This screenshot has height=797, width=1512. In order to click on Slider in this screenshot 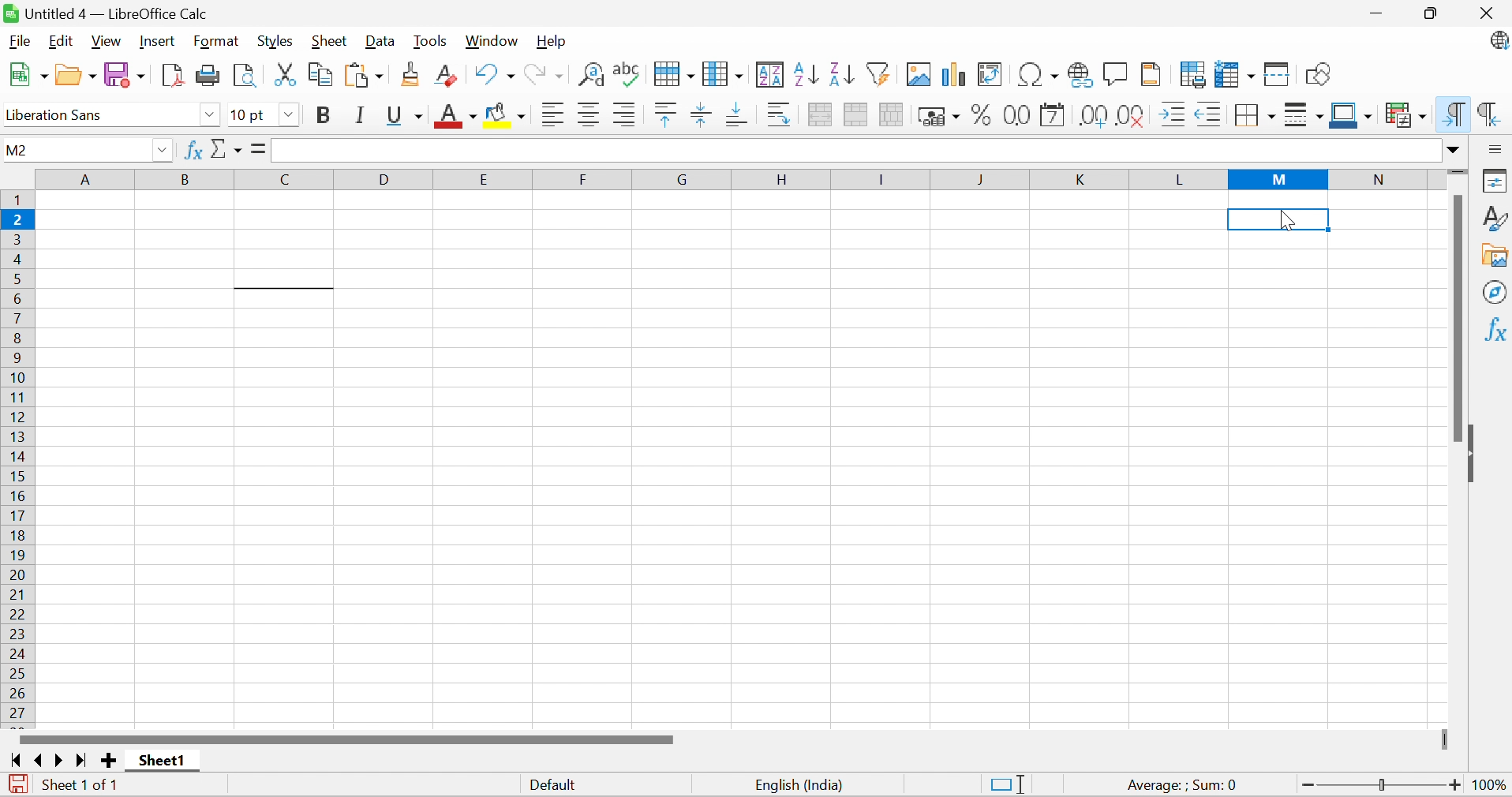, I will do `click(1458, 174)`.